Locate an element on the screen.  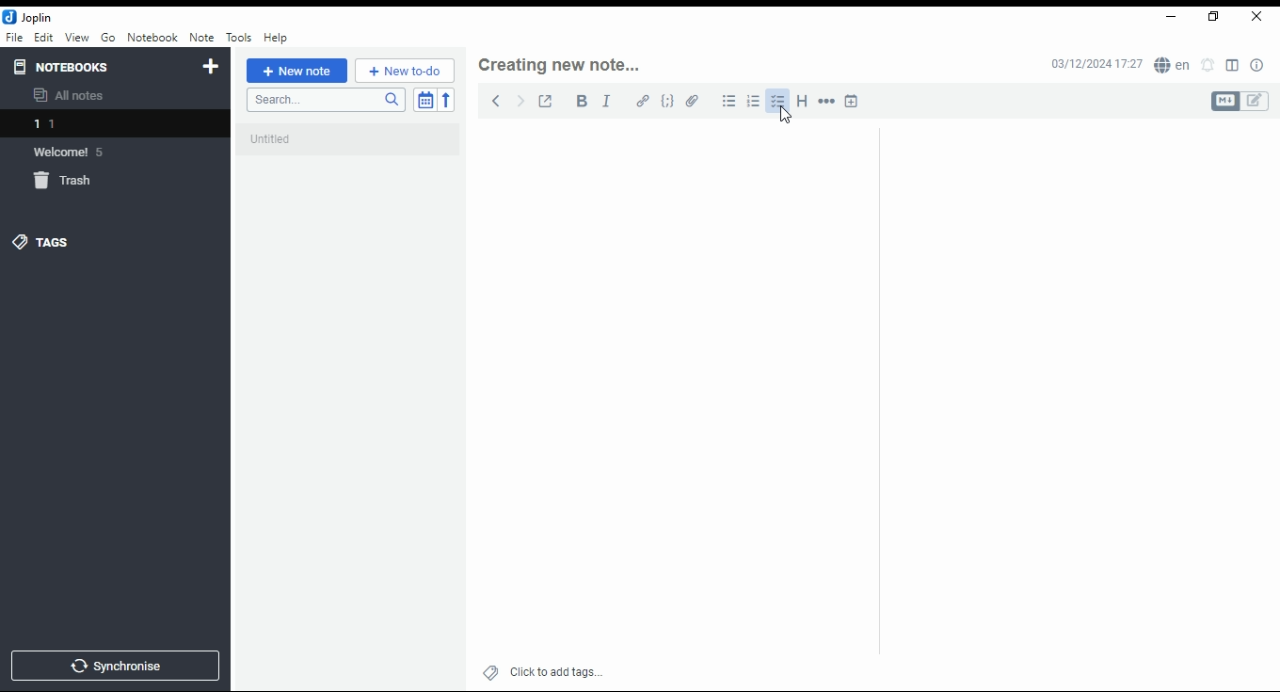
bulleted list is located at coordinates (727, 101).